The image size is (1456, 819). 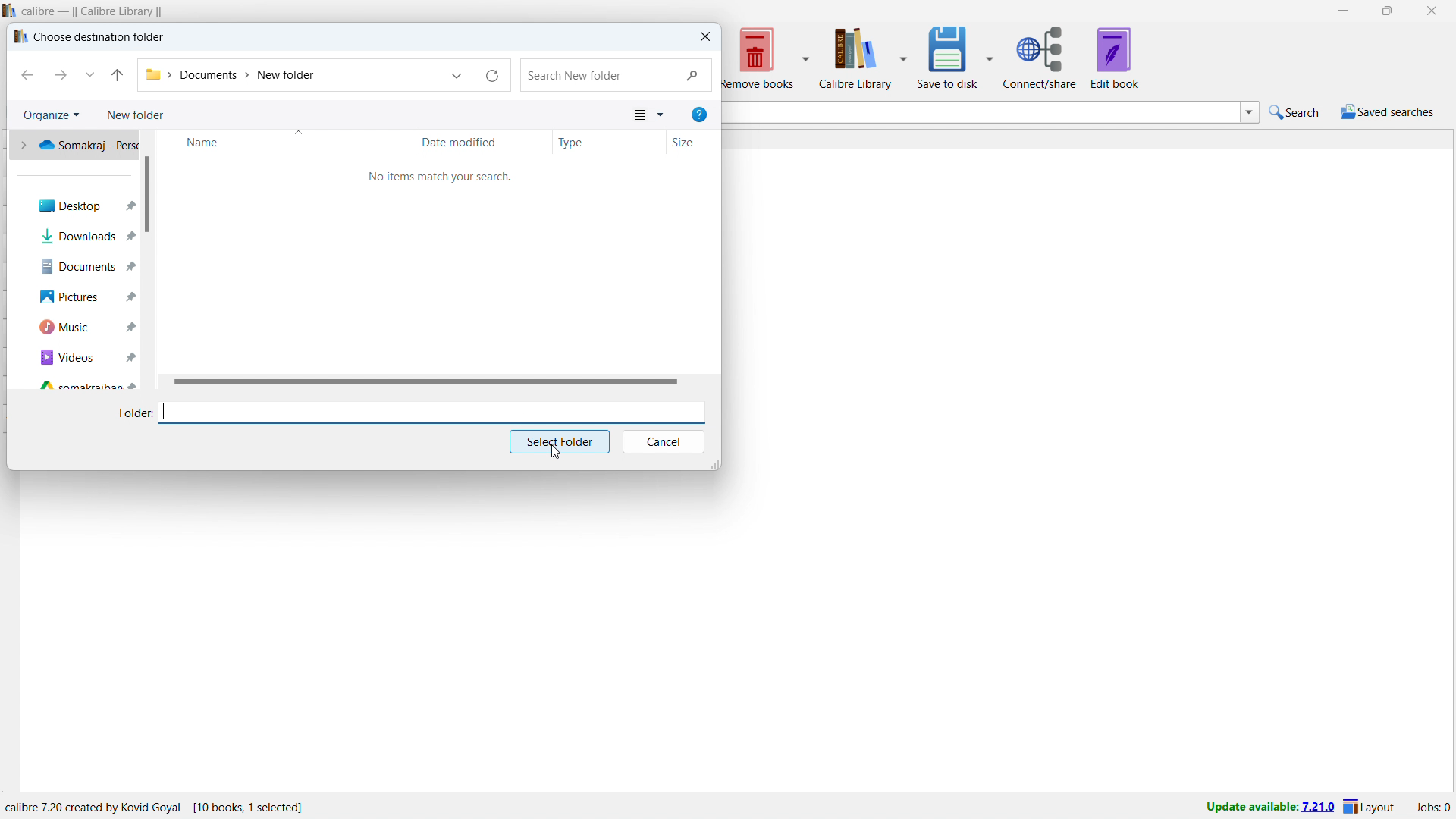 What do you see at coordinates (616, 75) in the screenshot?
I see `search in folder` at bounding box center [616, 75].